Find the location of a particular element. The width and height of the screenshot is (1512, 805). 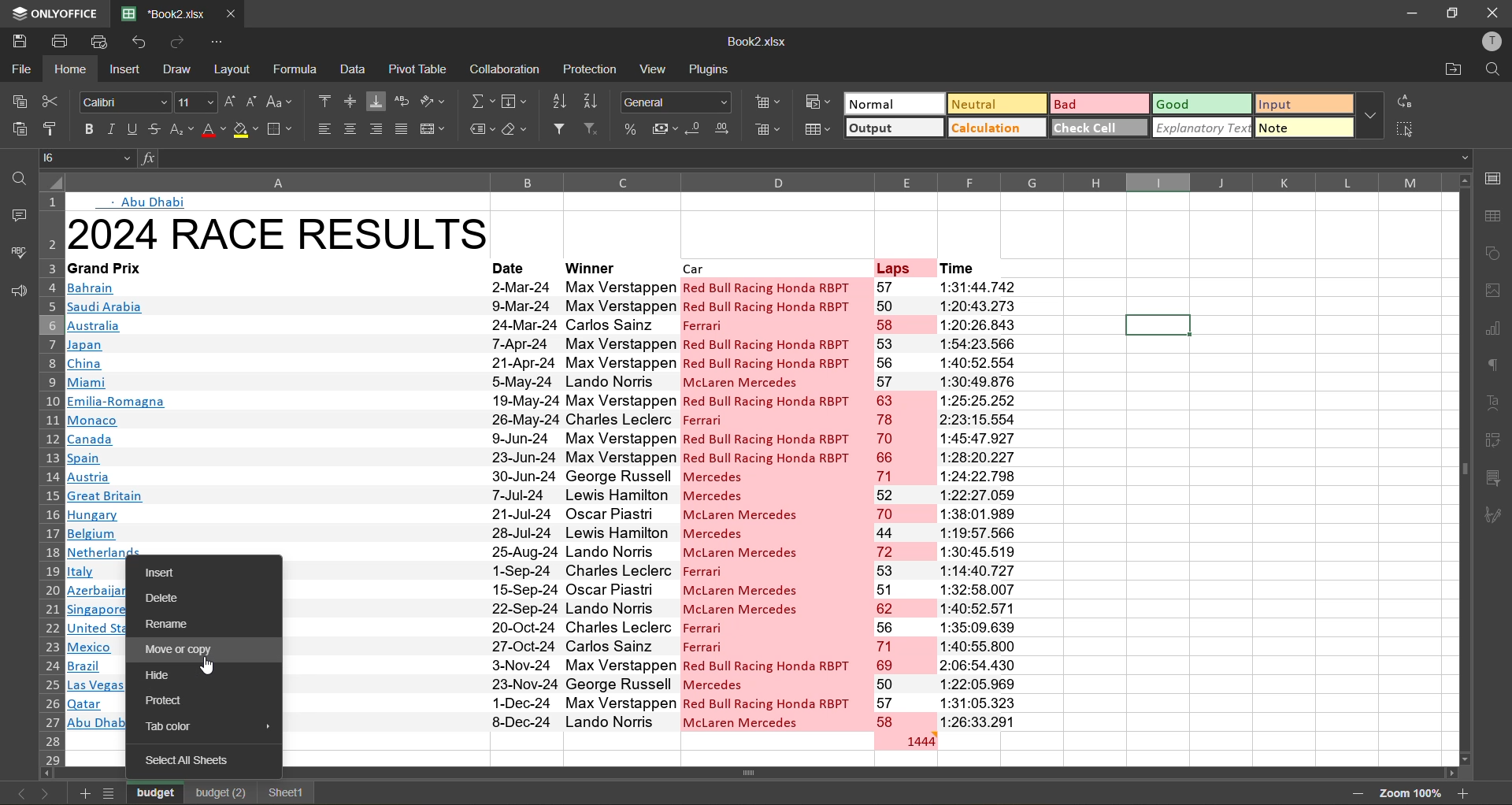

neutral is located at coordinates (994, 103).